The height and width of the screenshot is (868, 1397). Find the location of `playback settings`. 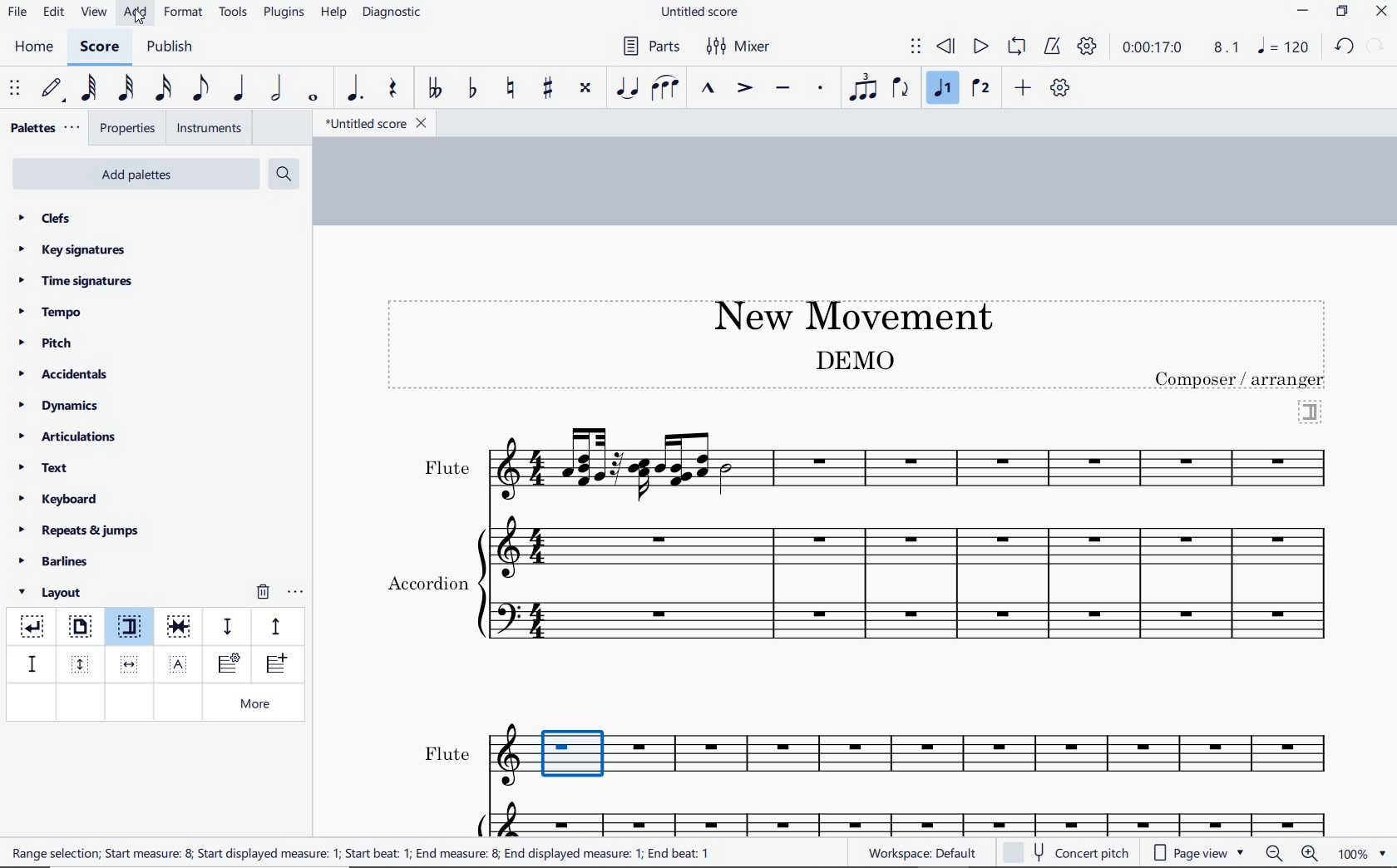

playback settings is located at coordinates (1089, 46).